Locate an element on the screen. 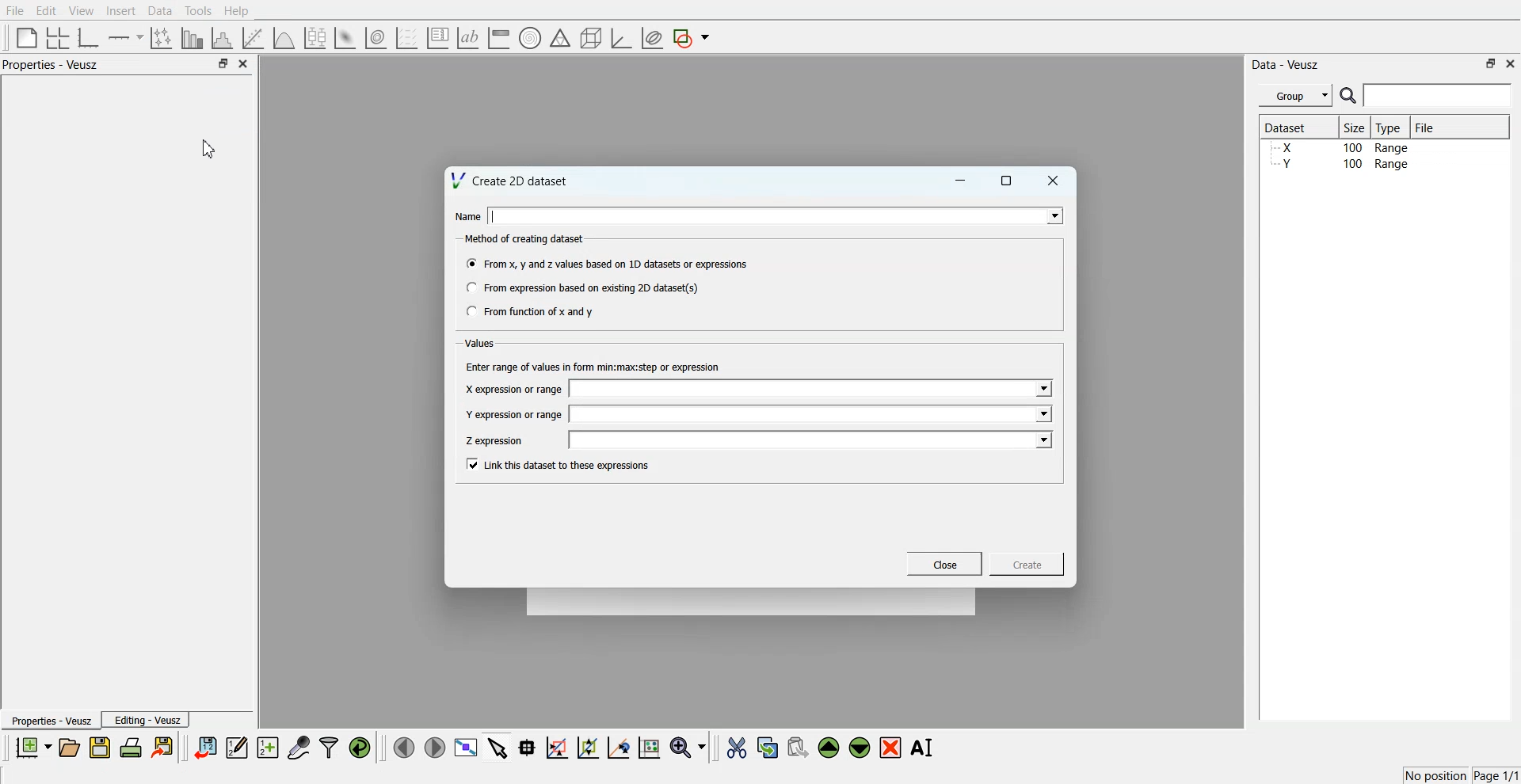 The width and height of the screenshot is (1521, 784). Properties - Veusz is located at coordinates (50, 720).